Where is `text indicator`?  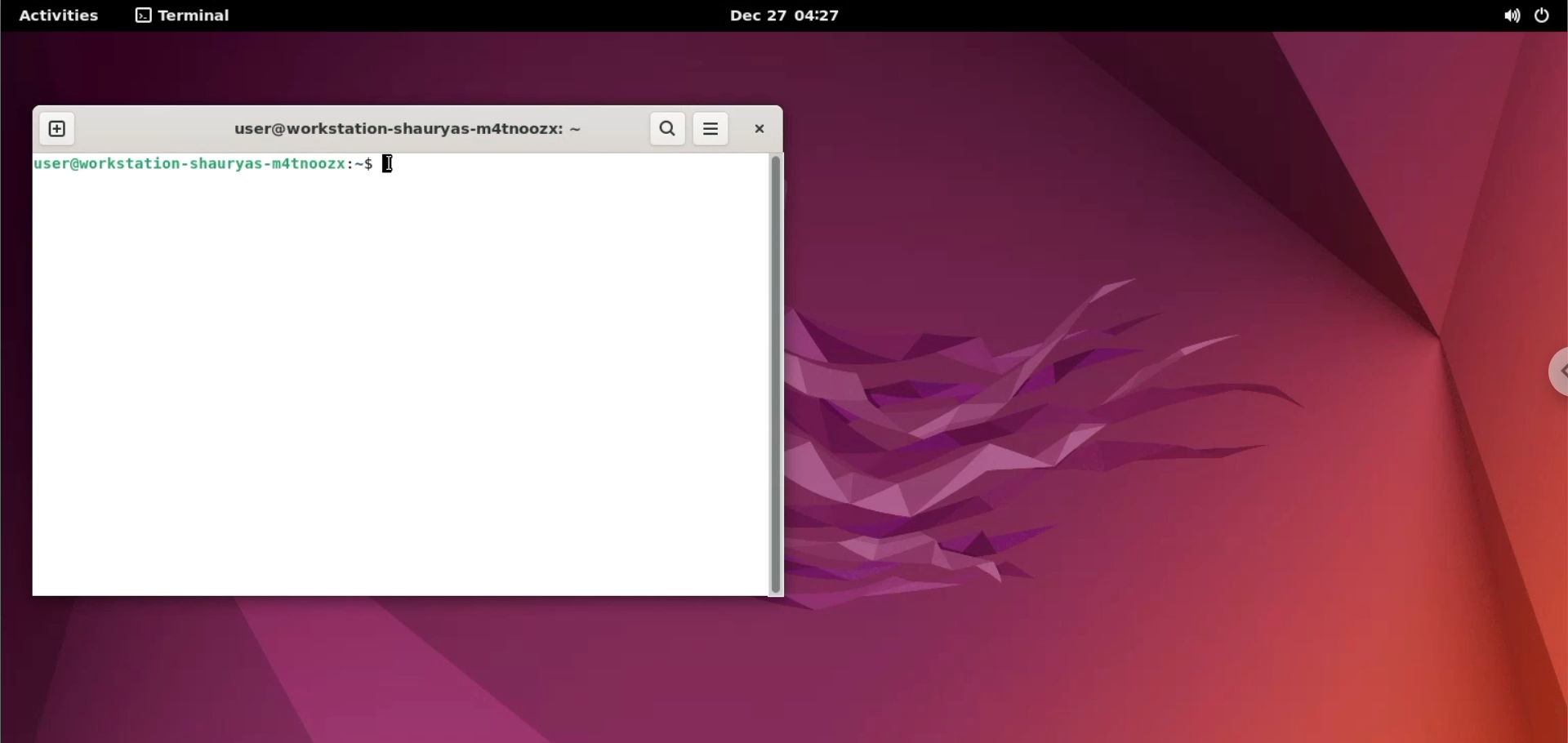 text indicator is located at coordinates (394, 166).